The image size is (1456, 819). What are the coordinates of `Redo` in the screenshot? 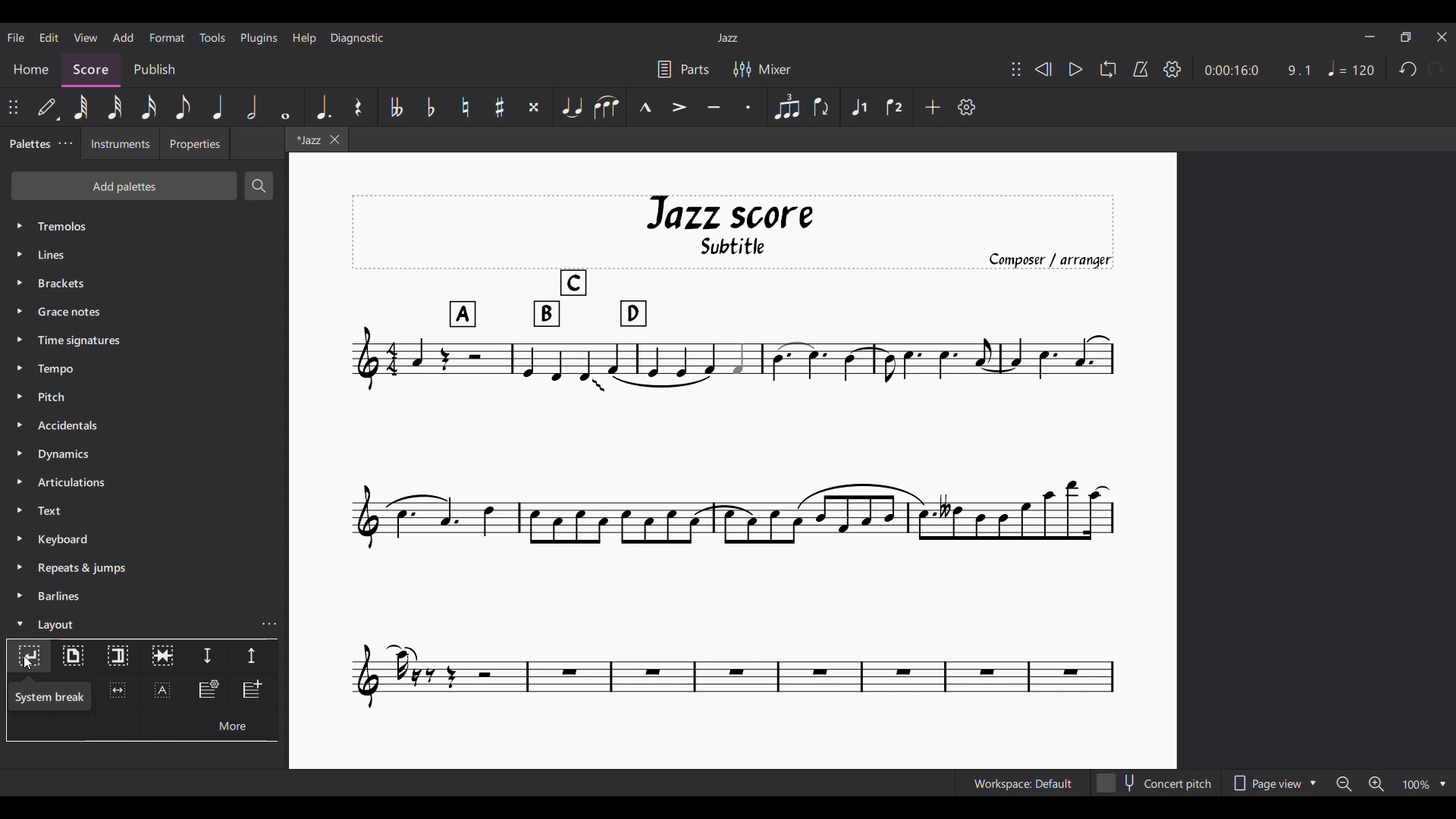 It's located at (1436, 68).